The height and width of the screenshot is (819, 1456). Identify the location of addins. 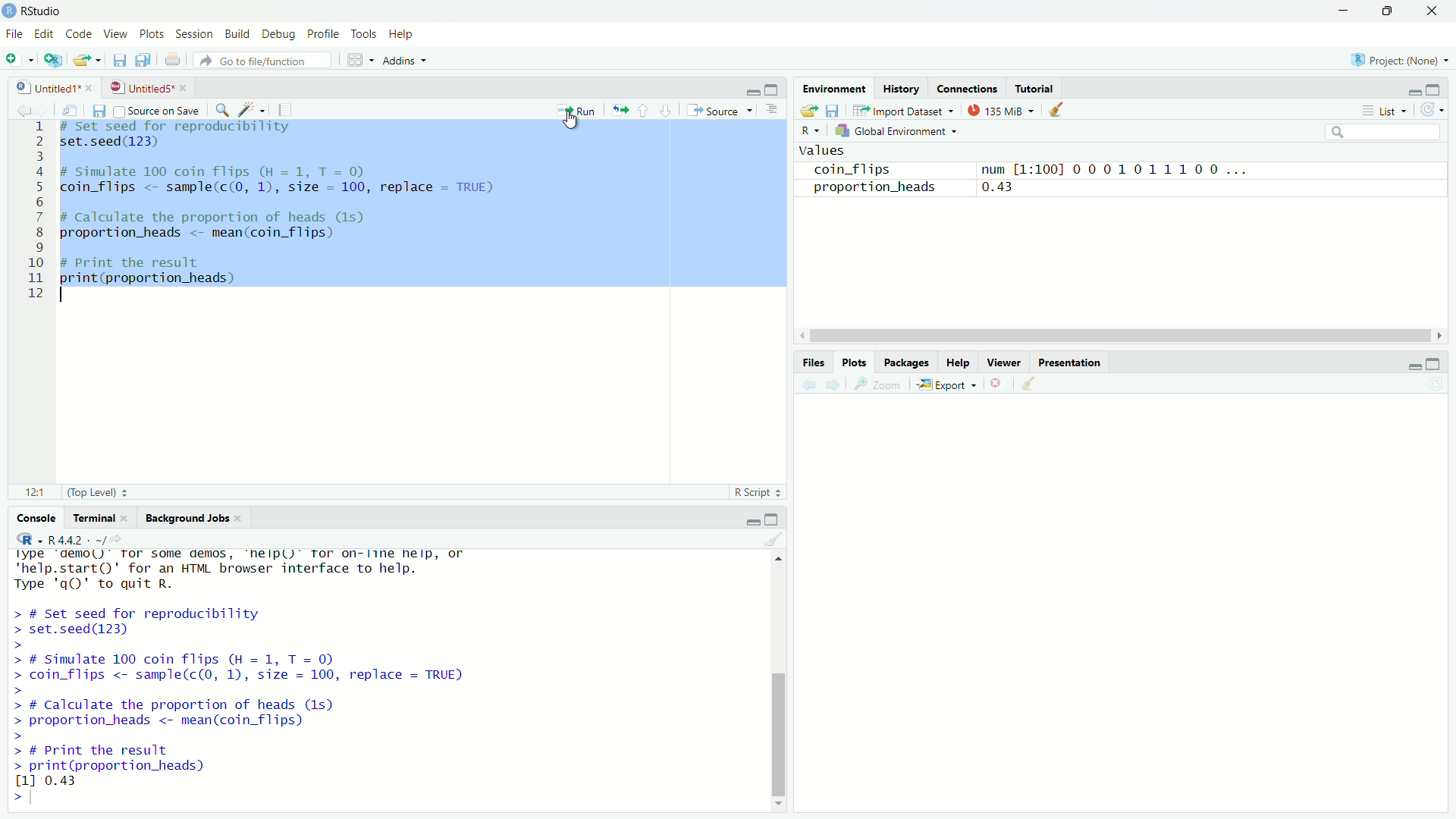
(405, 60).